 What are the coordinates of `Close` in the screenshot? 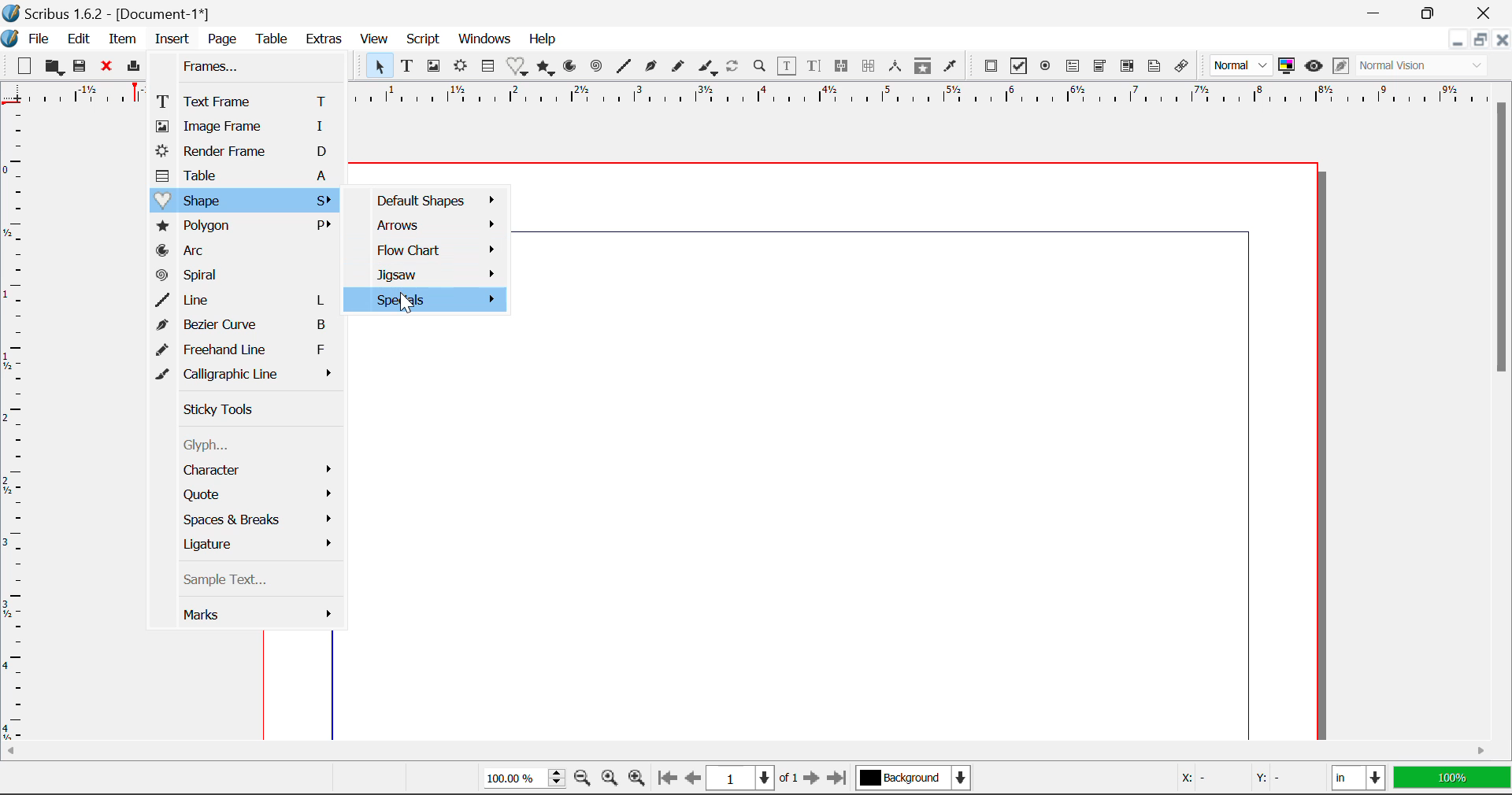 It's located at (1503, 42).